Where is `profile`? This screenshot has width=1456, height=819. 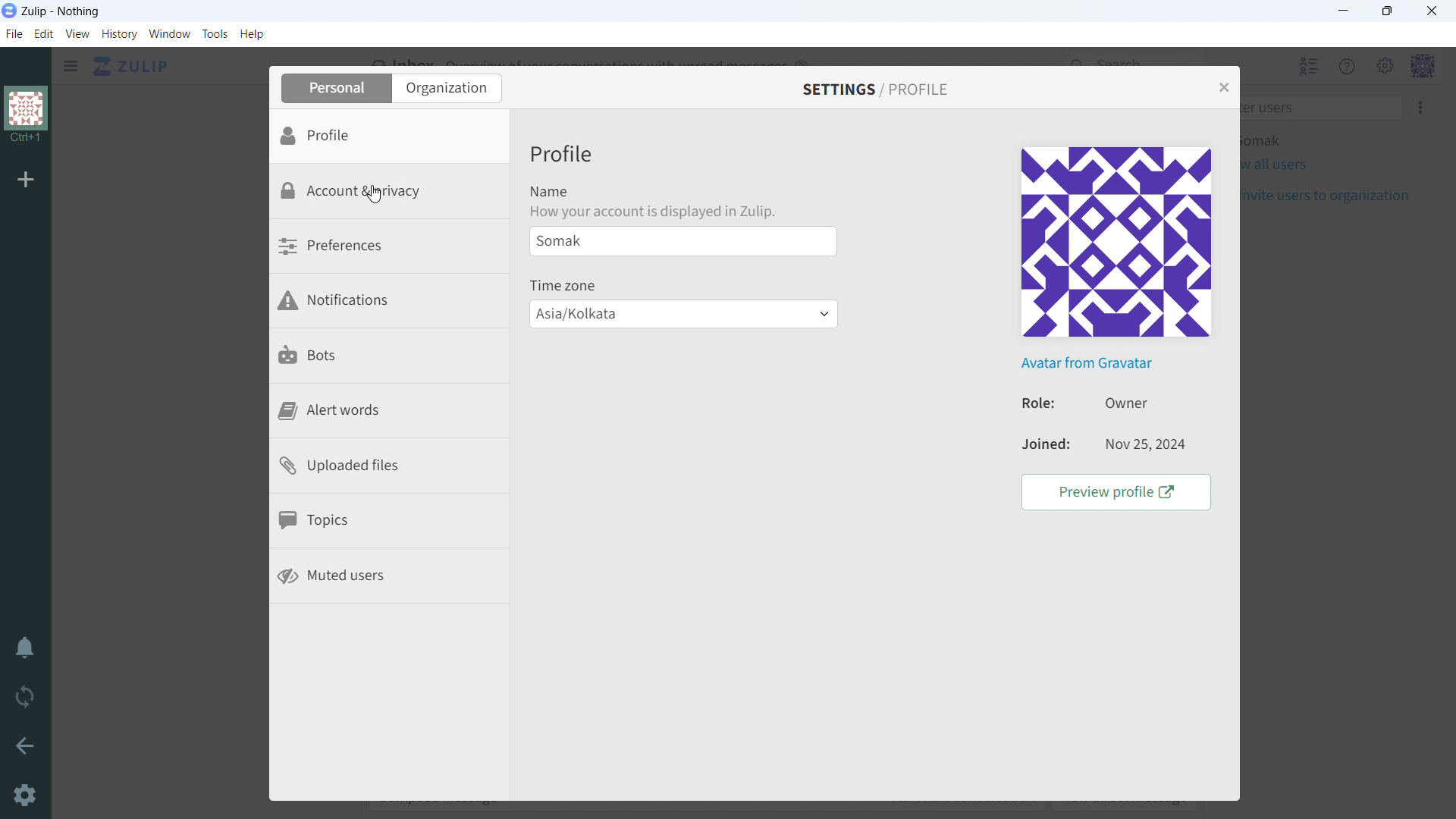 profile is located at coordinates (391, 137).